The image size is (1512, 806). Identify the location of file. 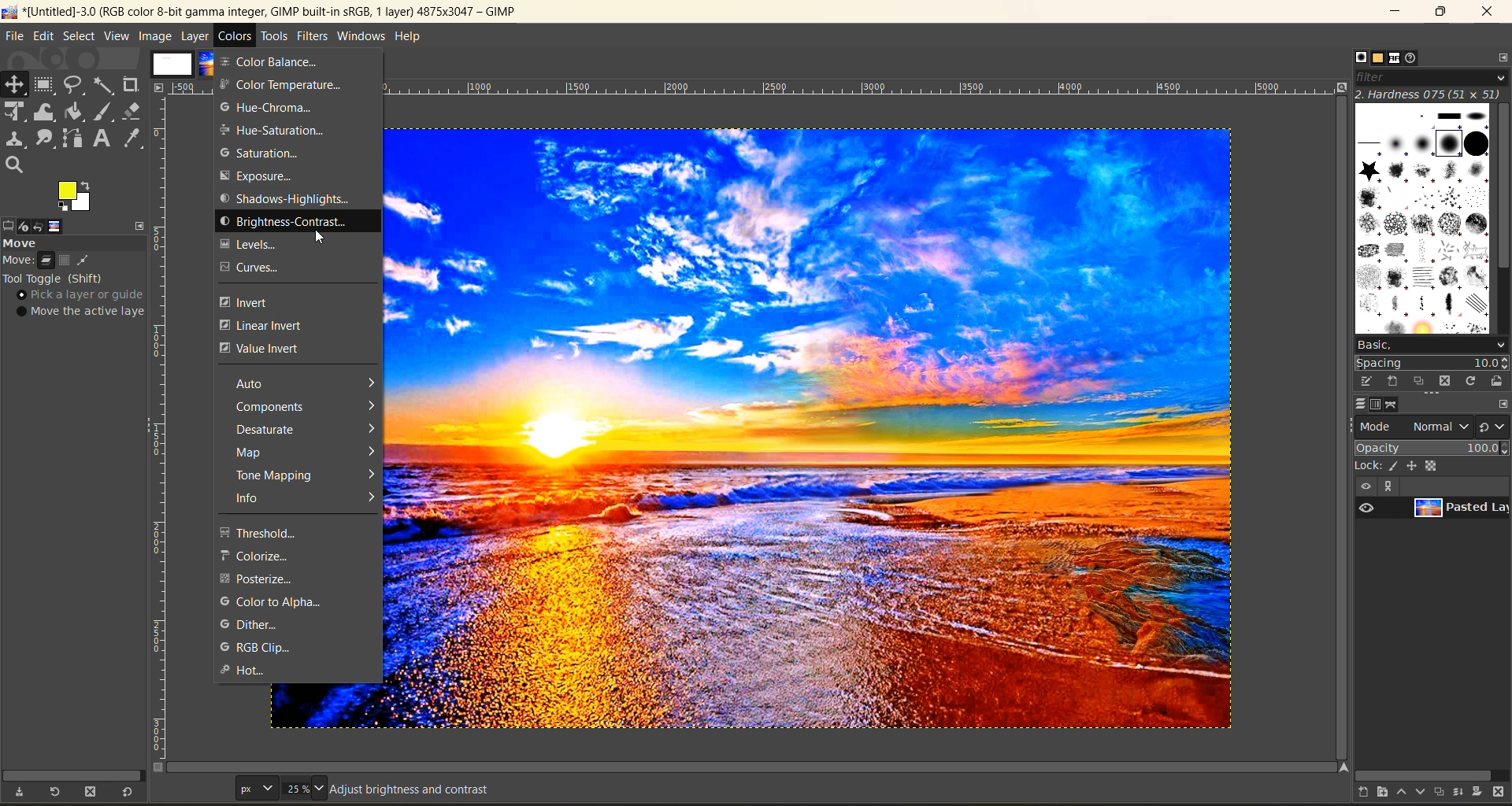
(13, 38).